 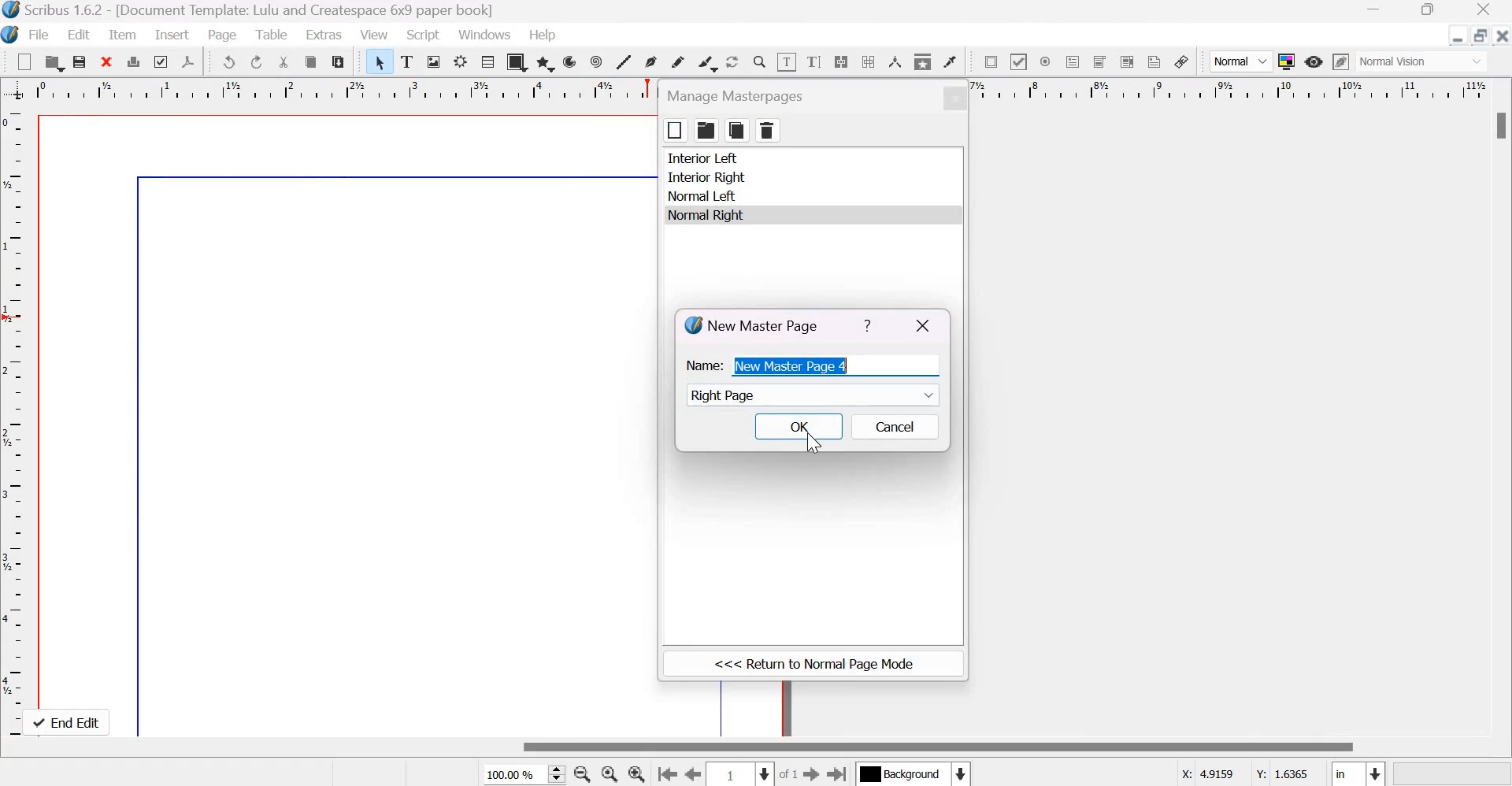 What do you see at coordinates (80, 61) in the screenshot?
I see `save` at bounding box center [80, 61].